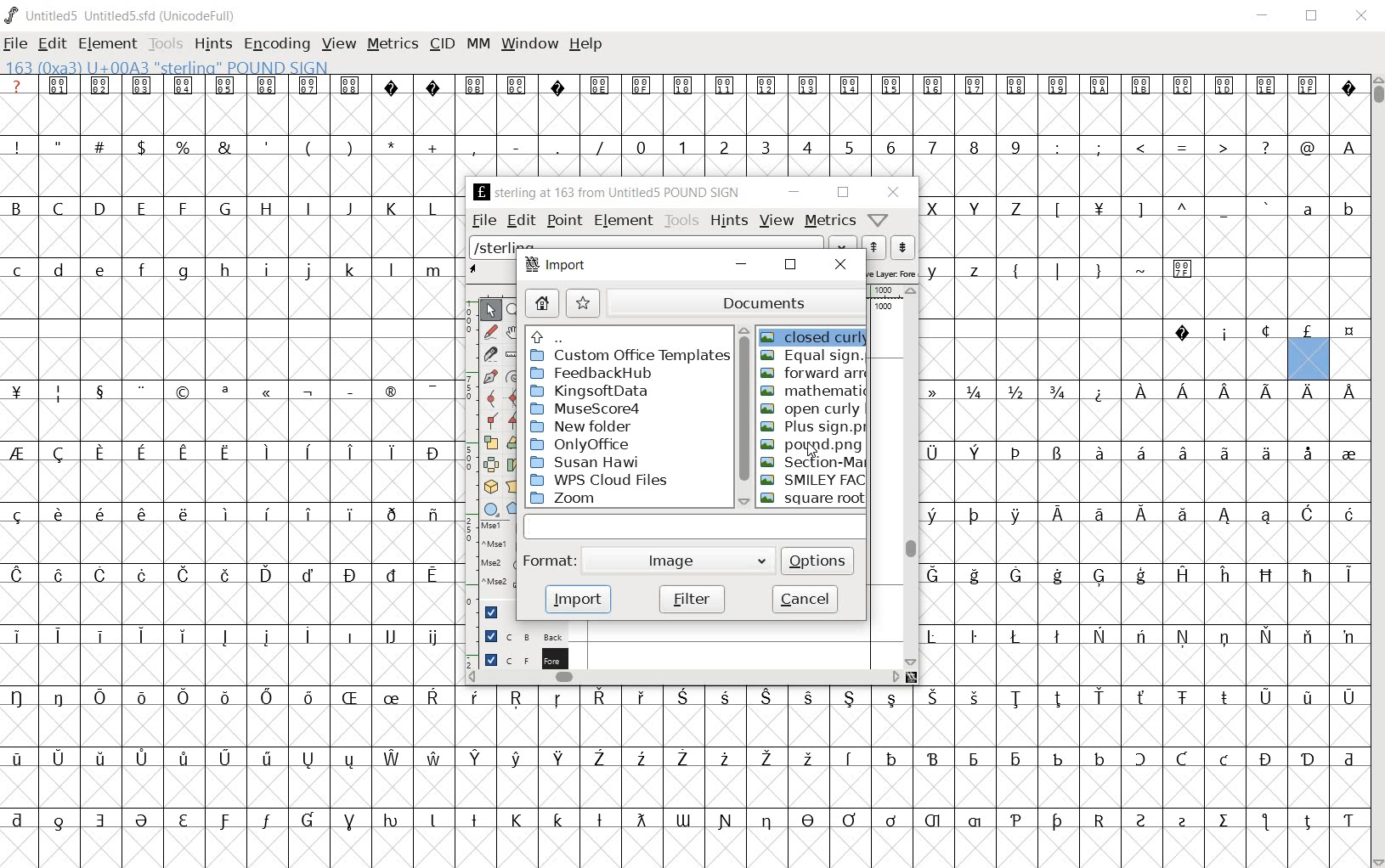 The image size is (1385, 868). I want to click on Symbol, so click(852, 86).